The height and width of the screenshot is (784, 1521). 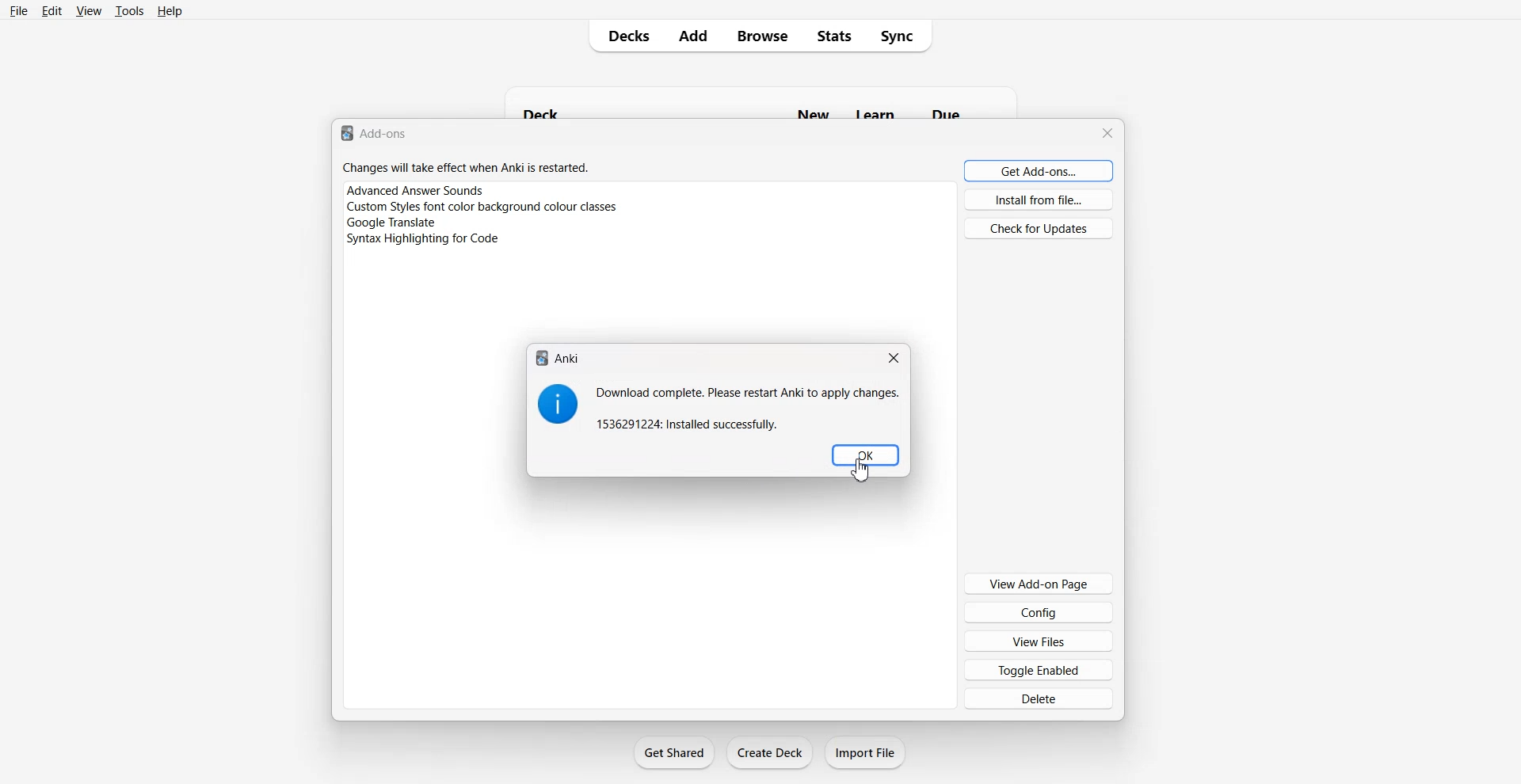 I want to click on Stats, so click(x=833, y=36).